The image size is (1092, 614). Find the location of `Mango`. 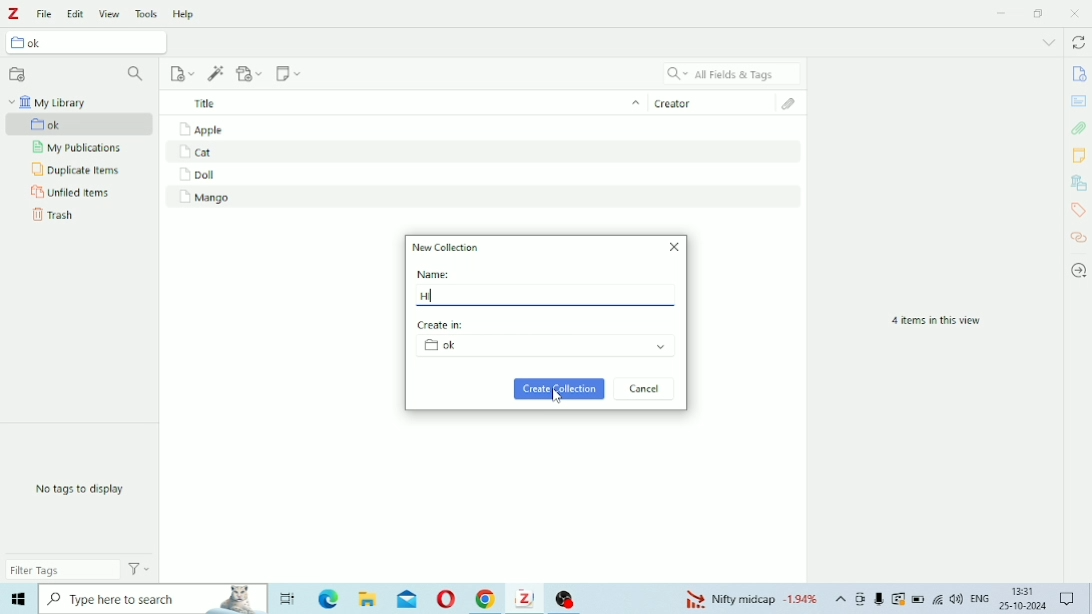

Mango is located at coordinates (204, 198).